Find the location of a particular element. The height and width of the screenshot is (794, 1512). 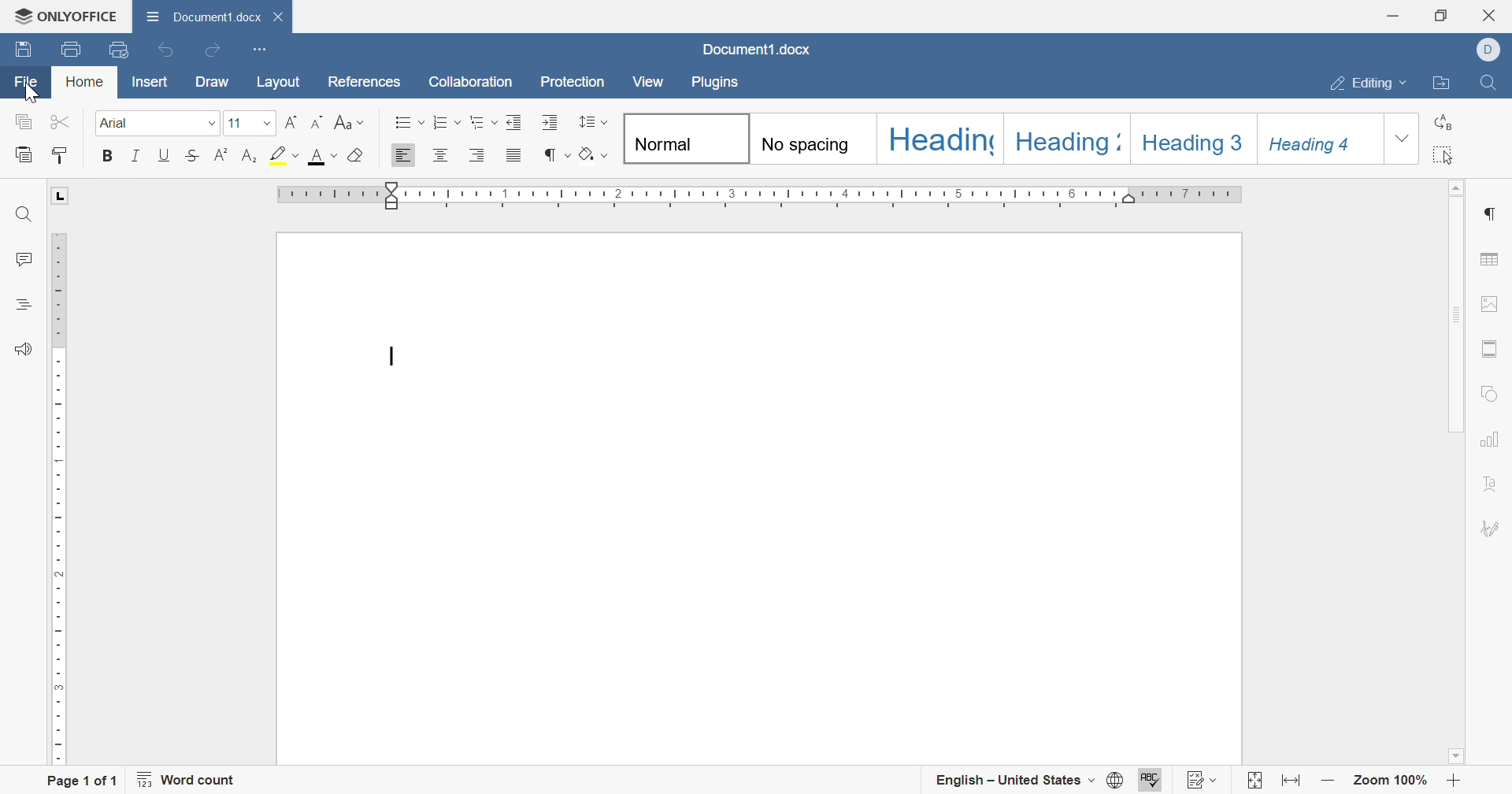

references is located at coordinates (362, 81).